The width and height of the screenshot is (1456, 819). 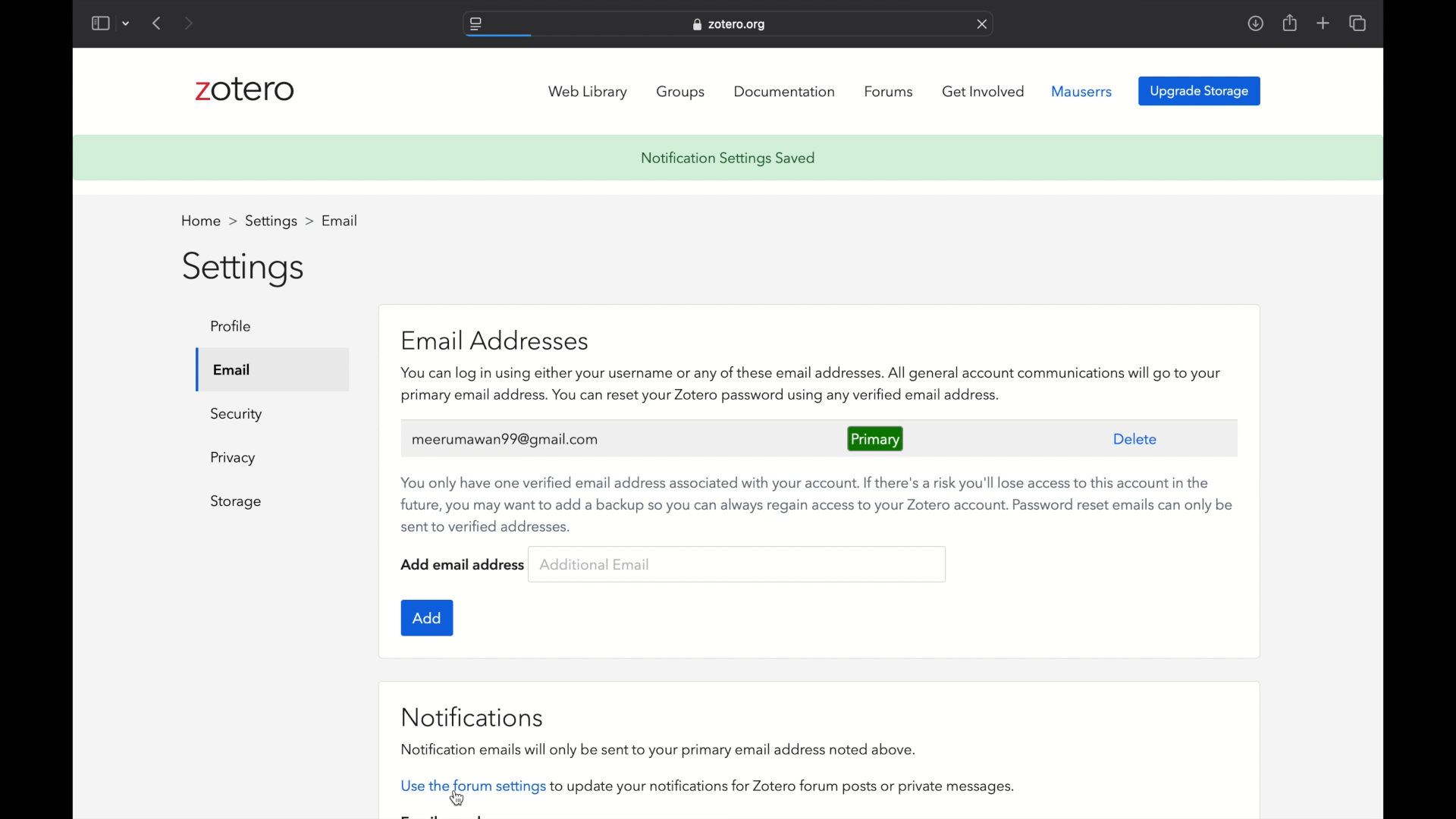 What do you see at coordinates (983, 92) in the screenshot?
I see `get involved` at bounding box center [983, 92].